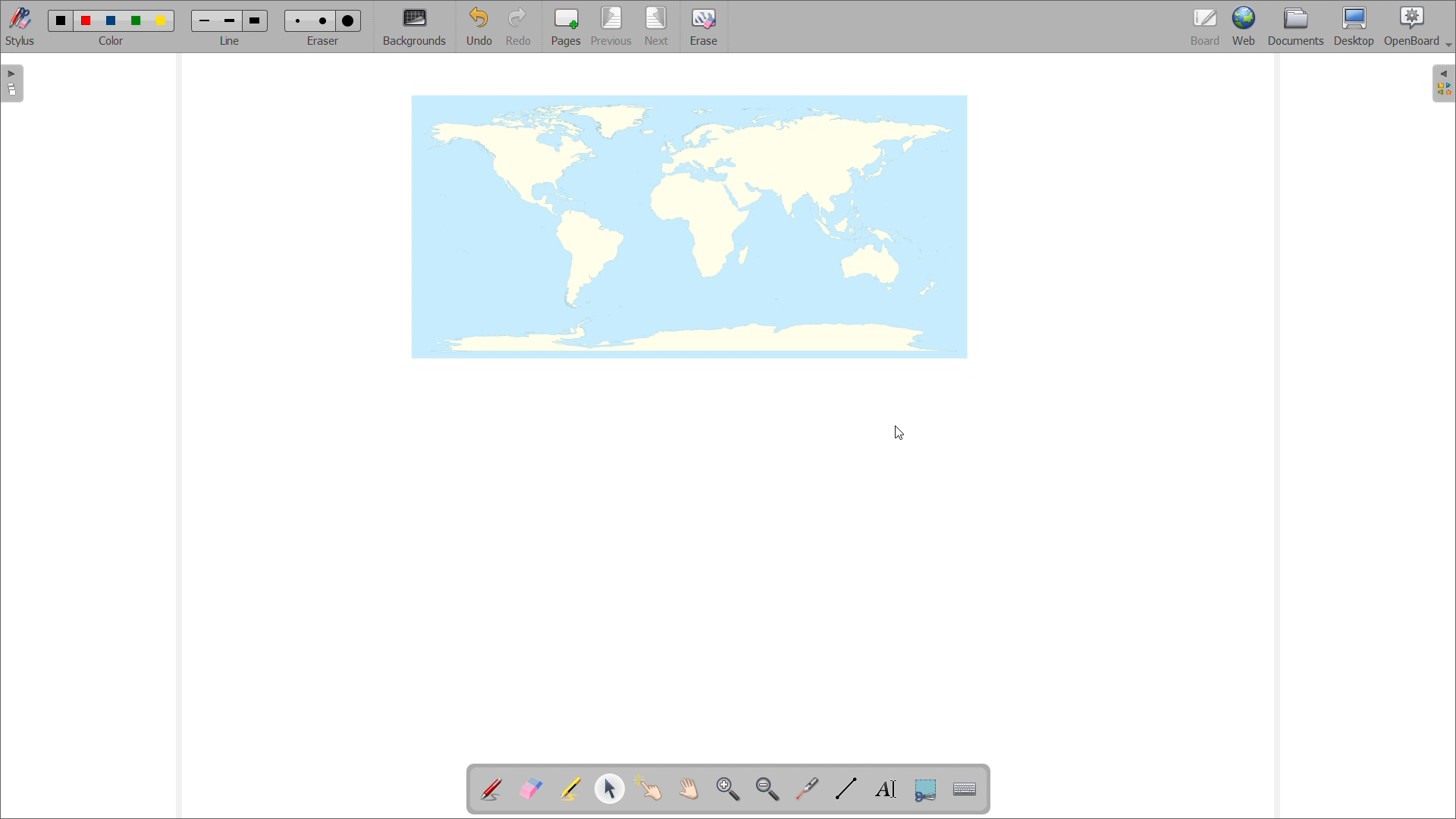  What do you see at coordinates (649, 789) in the screenshot?
I see `interact with items` at bounding box center [649, 789].